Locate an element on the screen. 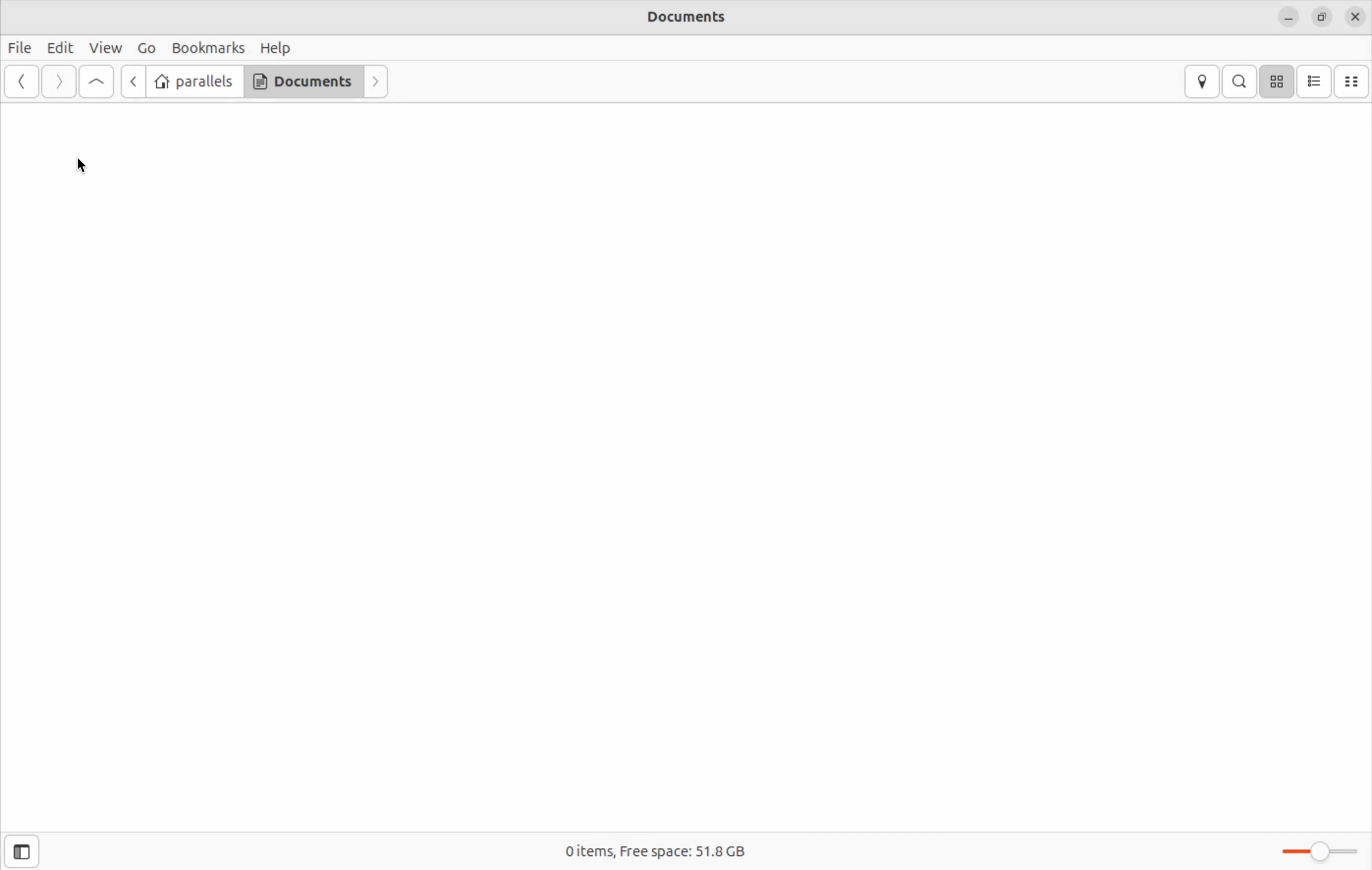 This screenshot has width=1372, height=870. Bookmarks is located at coordinates (209, 47).